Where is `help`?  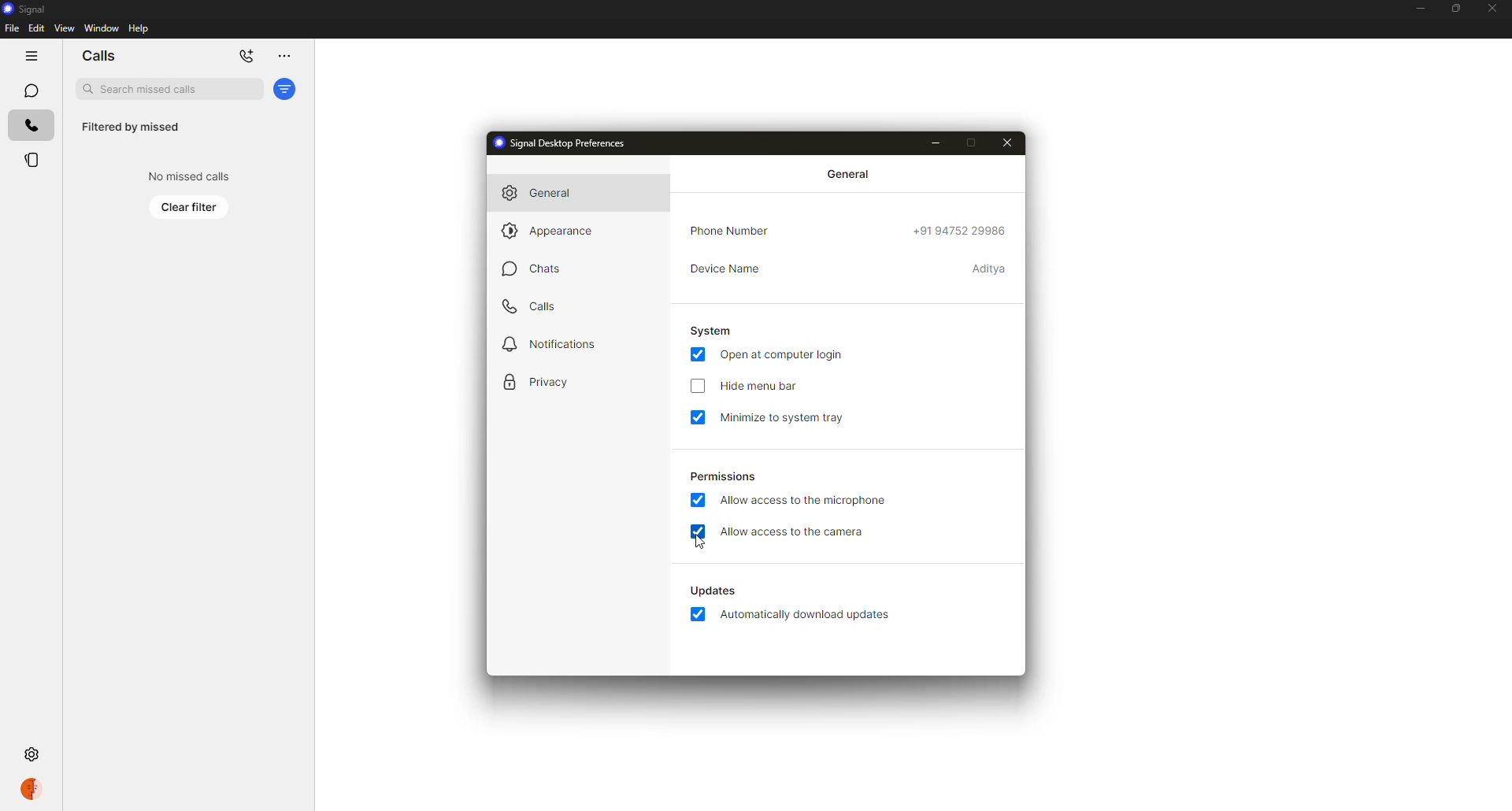
help is located at coordinates (140, 28).